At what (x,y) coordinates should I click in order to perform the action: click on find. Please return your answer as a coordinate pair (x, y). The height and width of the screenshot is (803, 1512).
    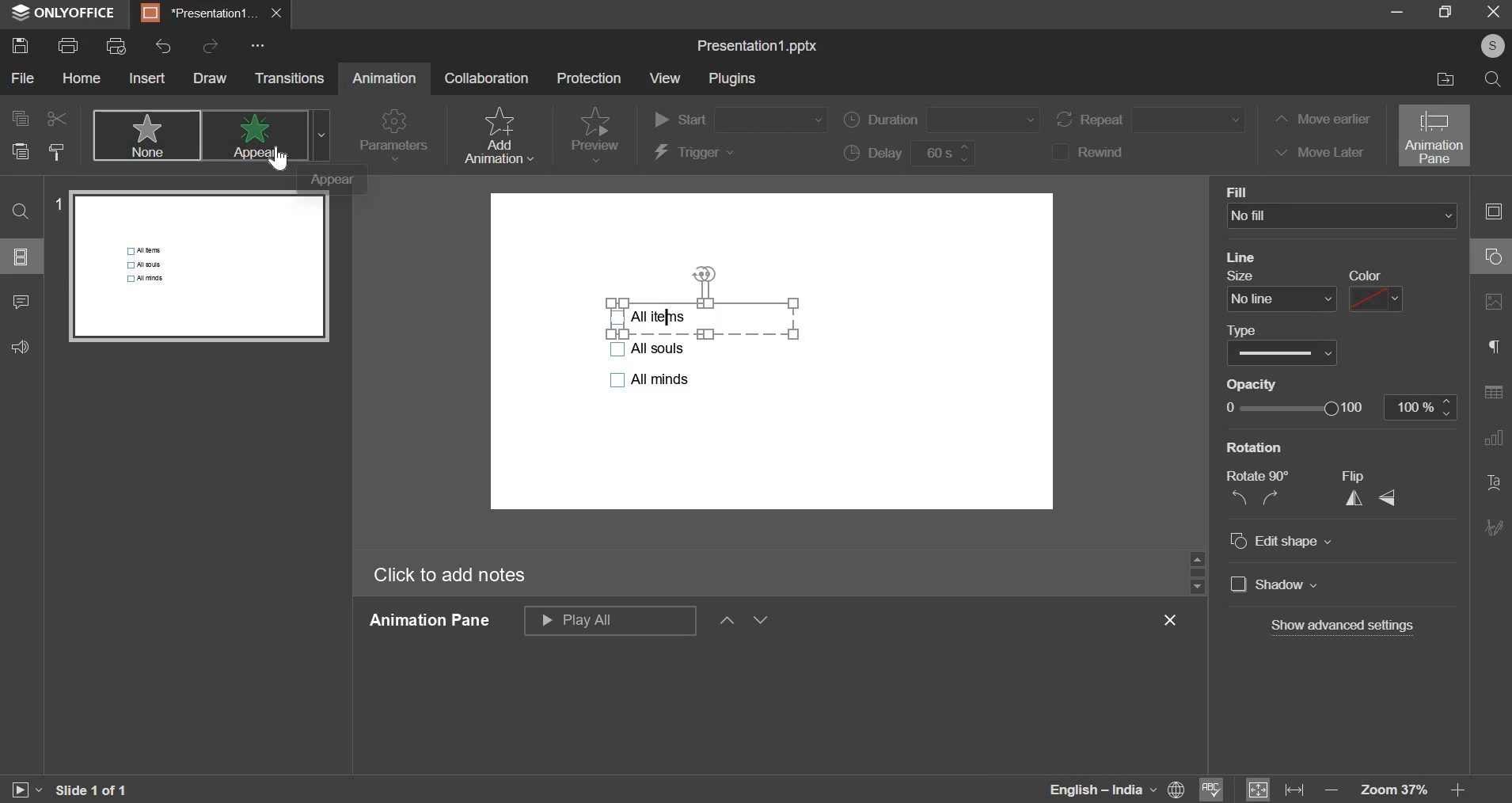
    Looking at the image, I should click on (21, 211).